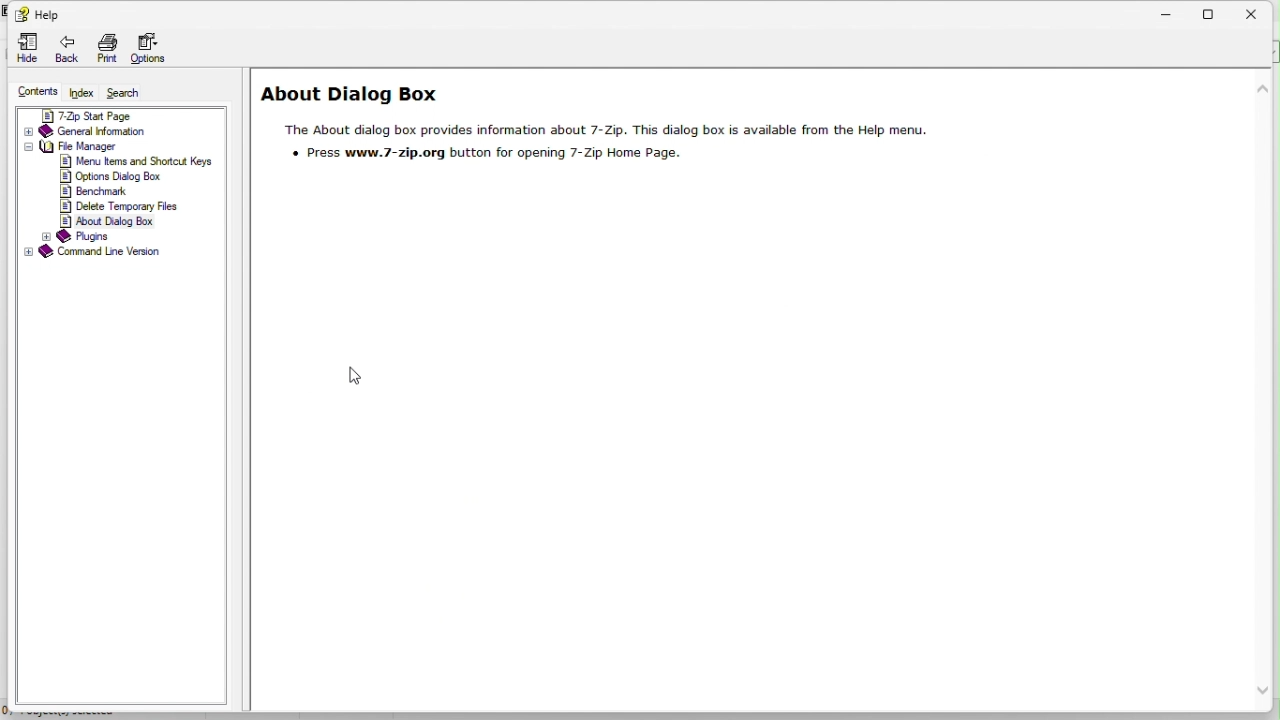  What do you see at coordinates (1264, 88) in the screenshot?
I see `scroll up` at bounding box center [1264, 88].